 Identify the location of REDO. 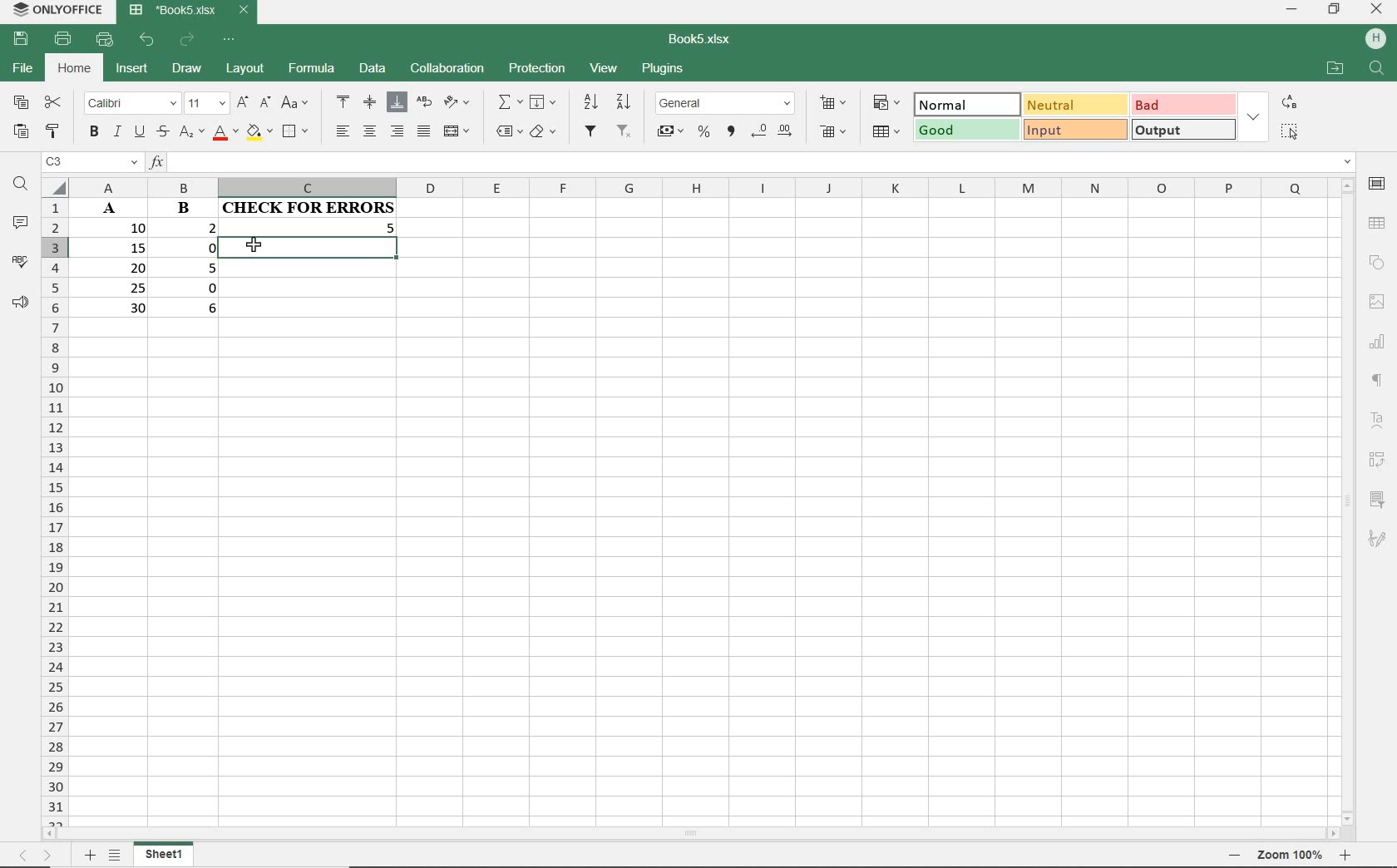
(188, 40).